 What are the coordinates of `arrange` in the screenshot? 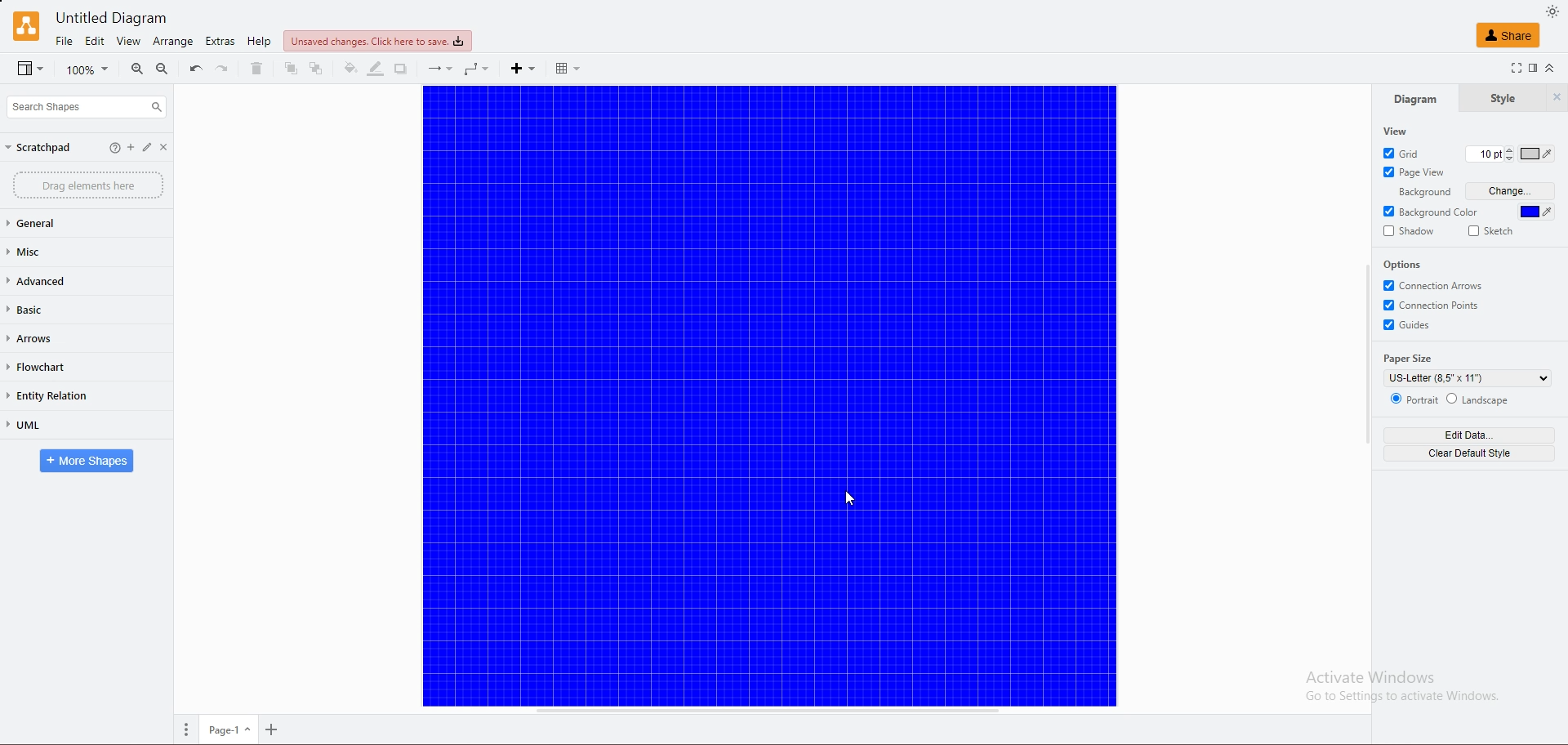 It's located at (174, 42).